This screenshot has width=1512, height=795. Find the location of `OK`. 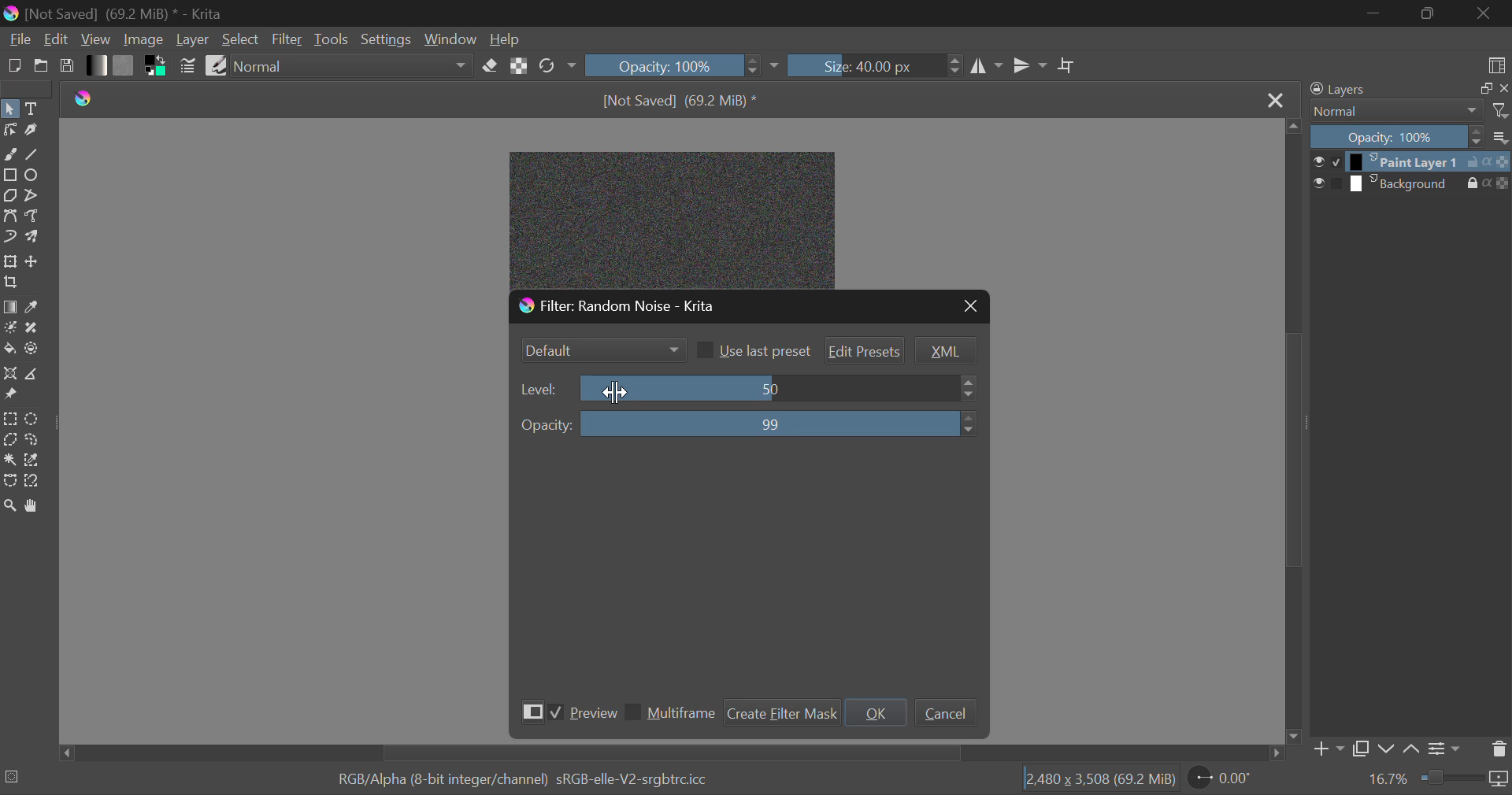

OK is located at coordinates (875, 711).